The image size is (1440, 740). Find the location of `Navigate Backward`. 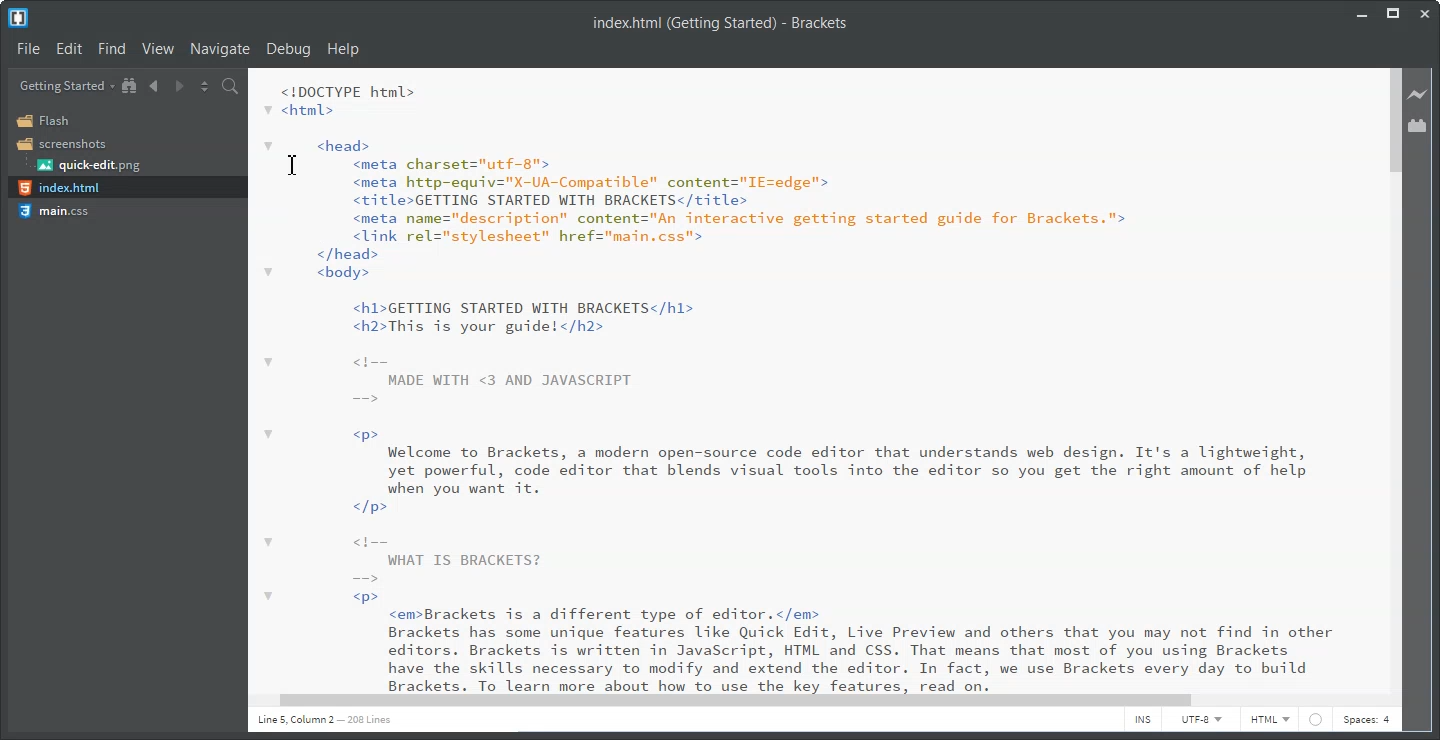

Navigate Backward is located at coordinates (154, 86).